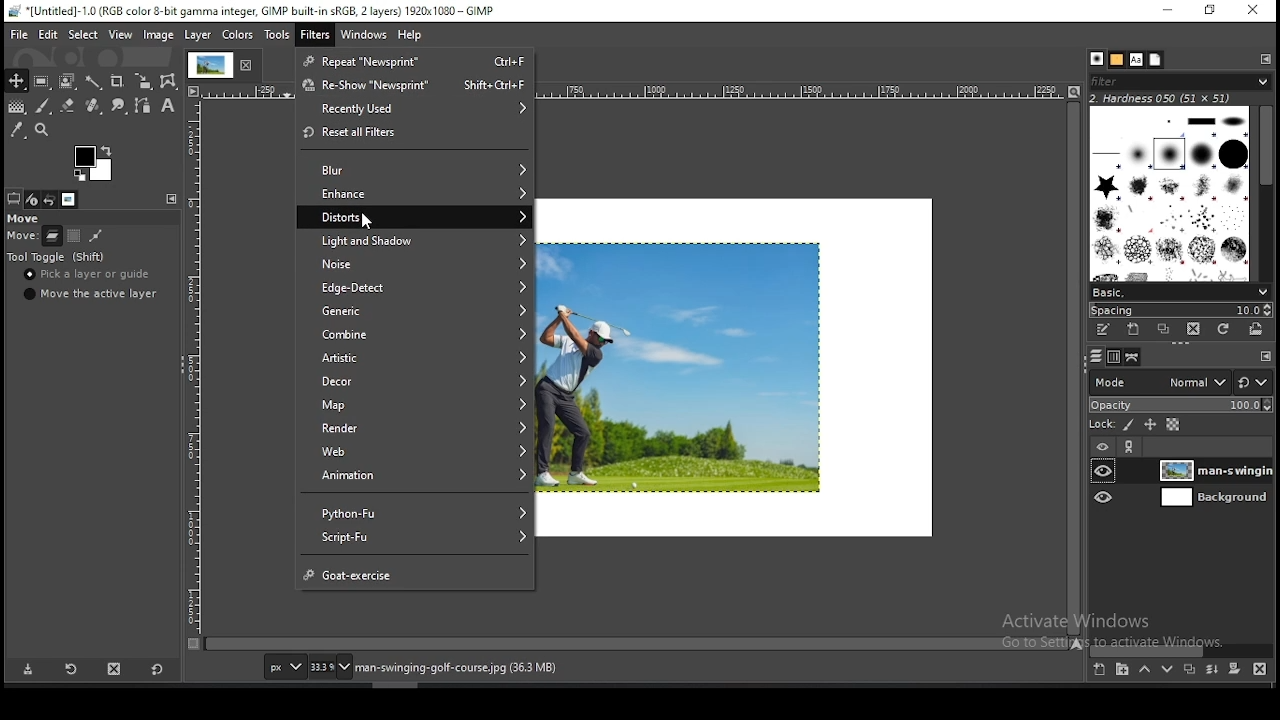 This screenshot has width=1280, height=720. What do you see at coordinates (169, 106) in the screenshot?
I see `text tool` at bounding box center [169, 106].